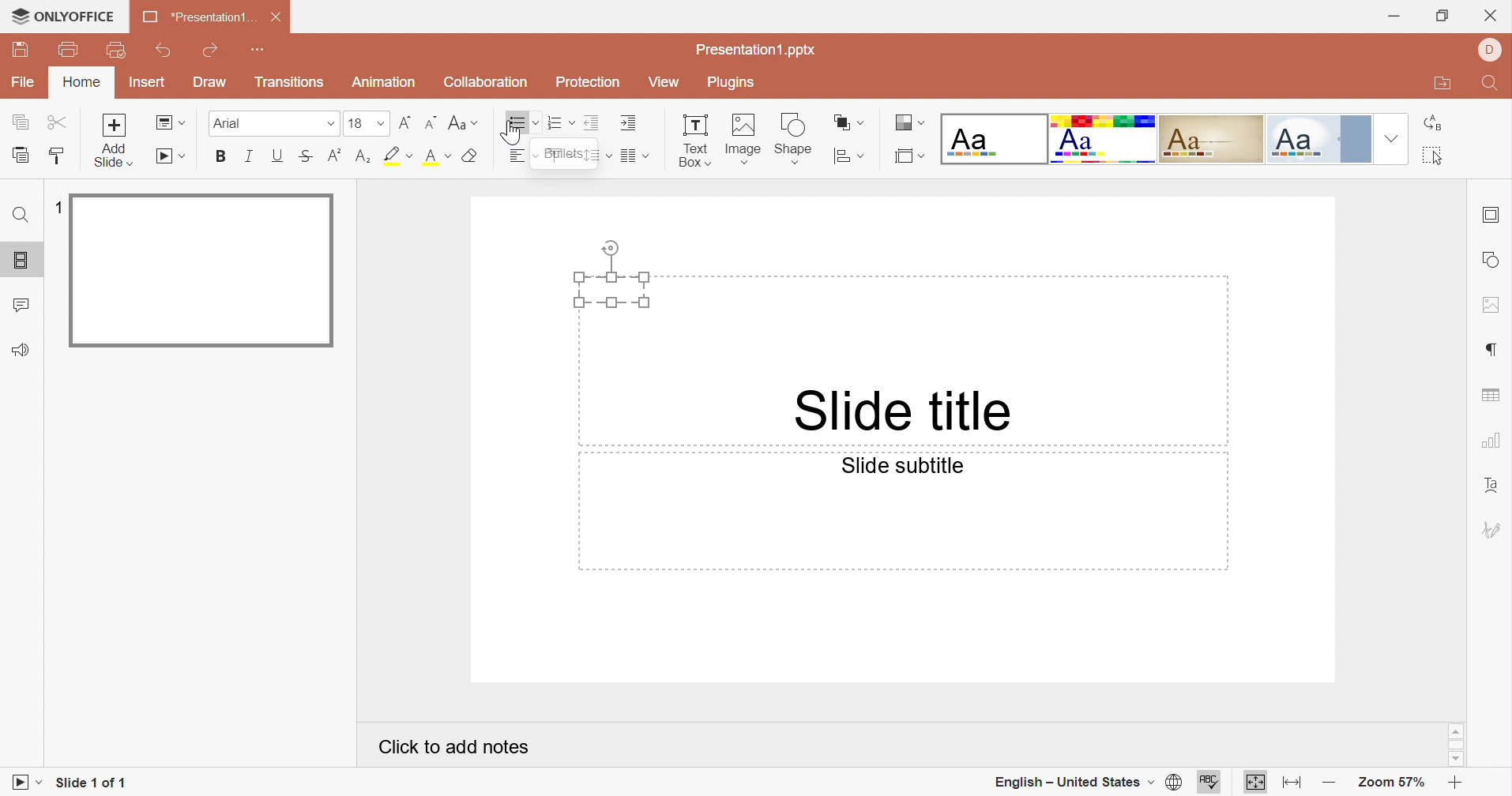  What do you see at coordinates (553, 123) in the screenshot?
I see `Numbering` at bounding box center [553, 123].